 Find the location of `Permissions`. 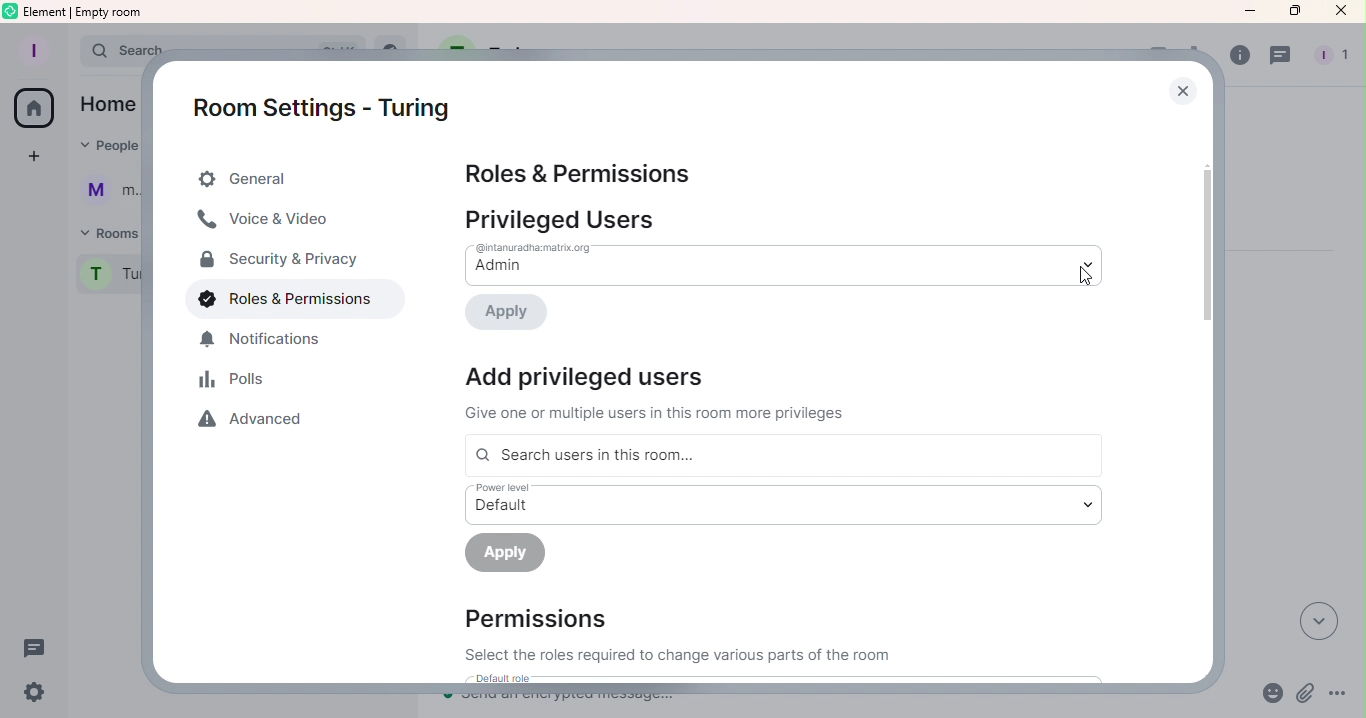

Permissions is located at coordinates (686, 639).